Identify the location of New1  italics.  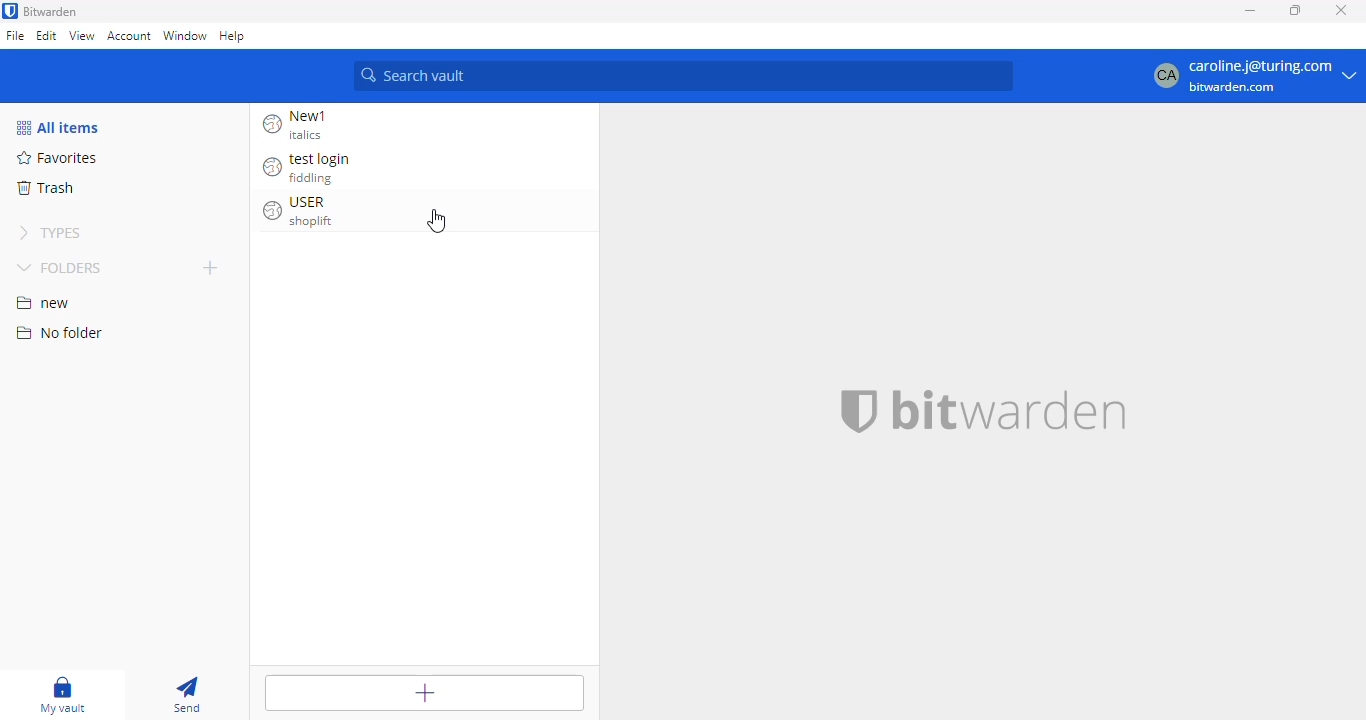
(301, 125).